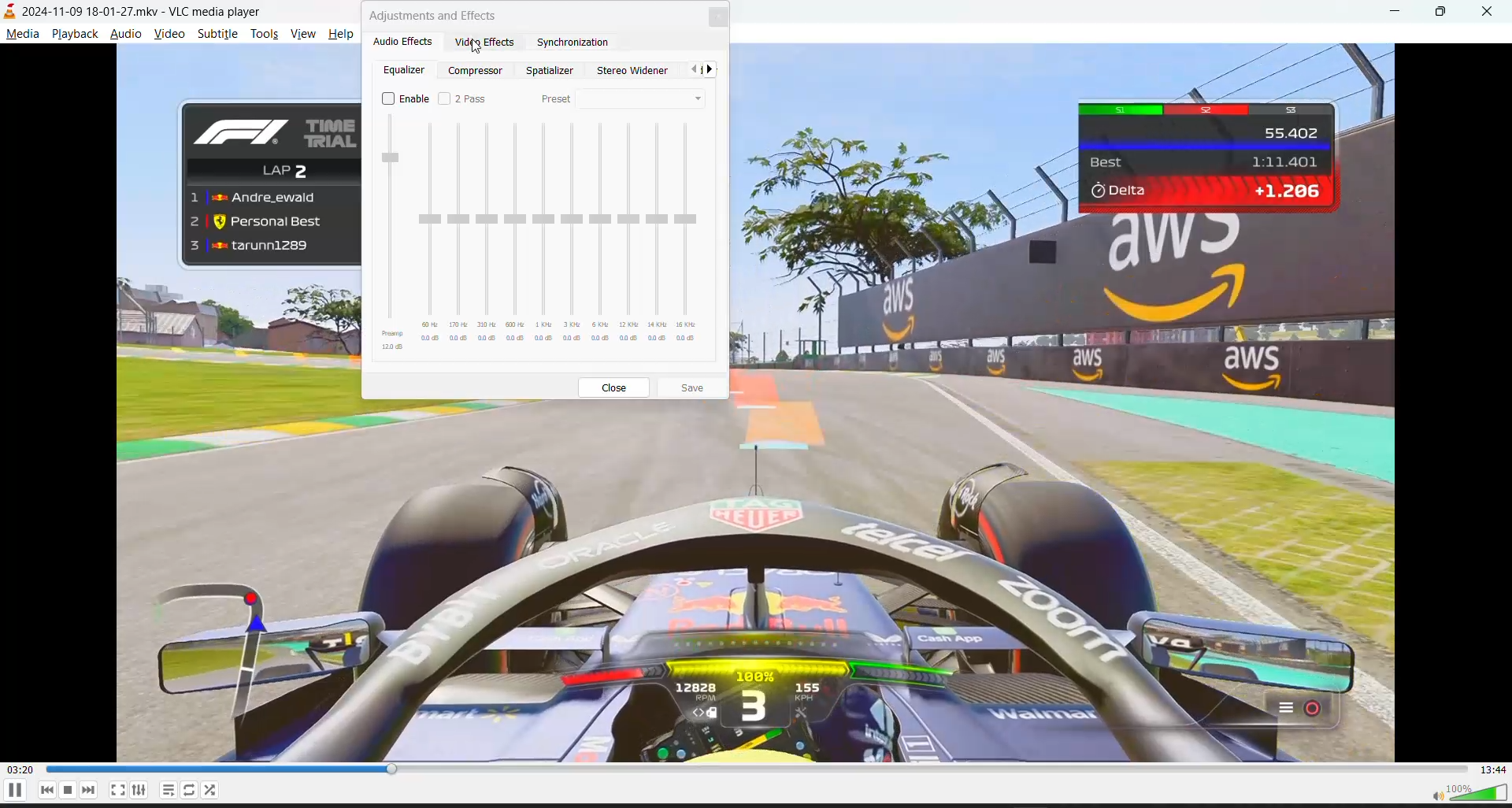 Image resolution: width=1512 pixels, height=808 pixels. Describe the element at coordinates (1494, 769) in the screenshot. I see `total track  time` at that location.